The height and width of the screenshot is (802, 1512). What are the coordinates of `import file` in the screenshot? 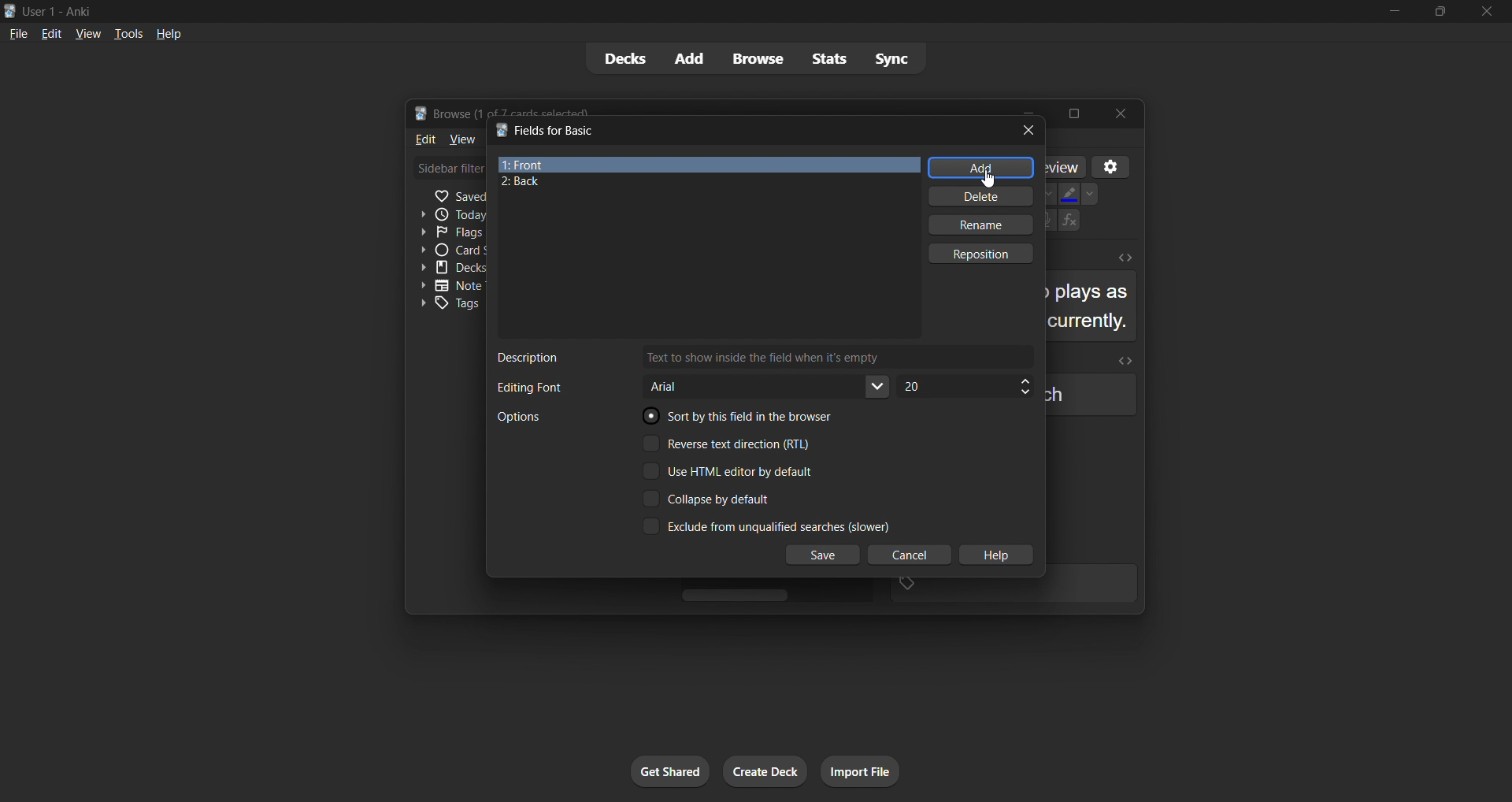 It's located at (865, 770).